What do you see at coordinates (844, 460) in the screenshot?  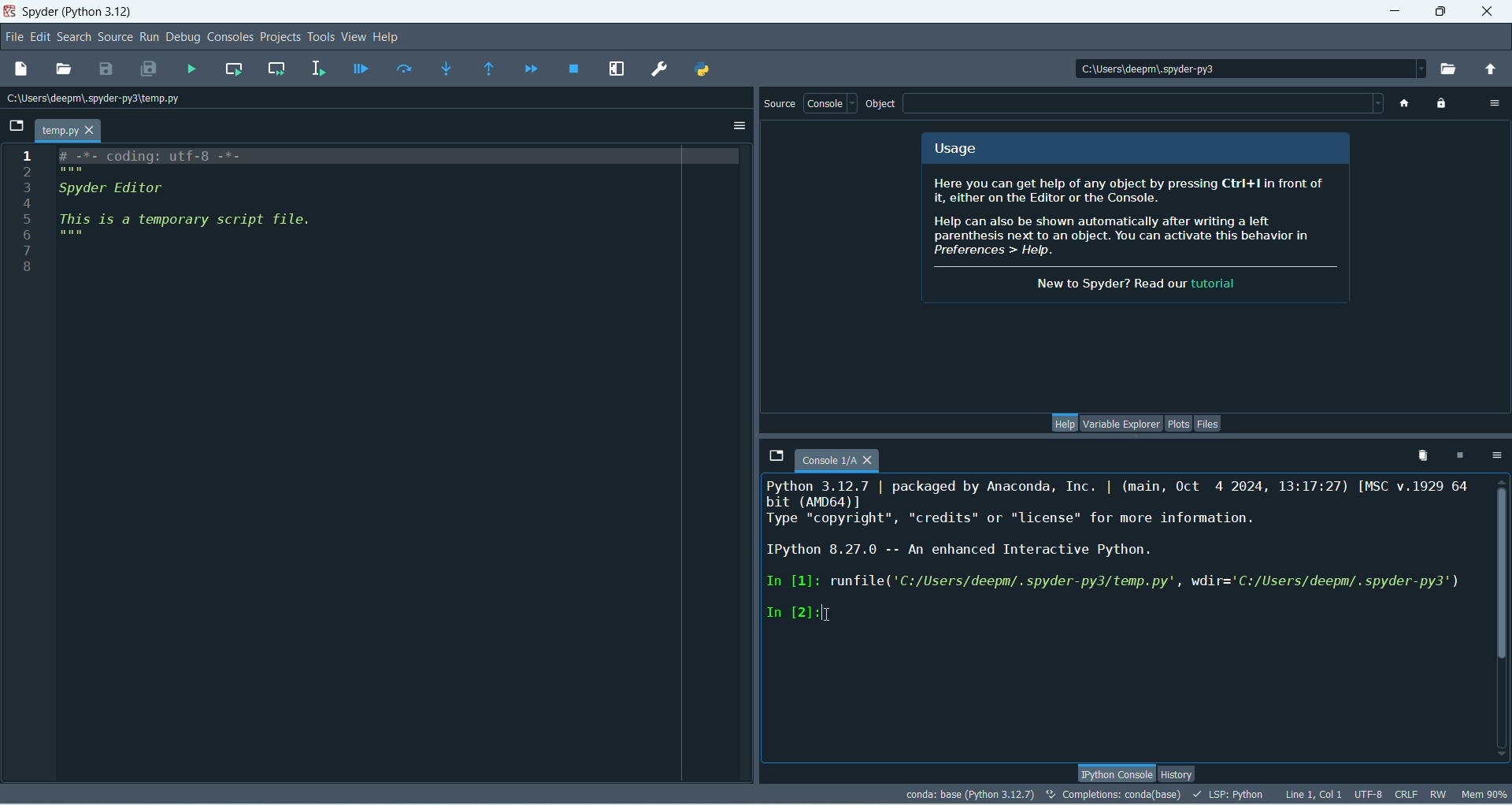 I see `console` at bounding box center [844, 460].